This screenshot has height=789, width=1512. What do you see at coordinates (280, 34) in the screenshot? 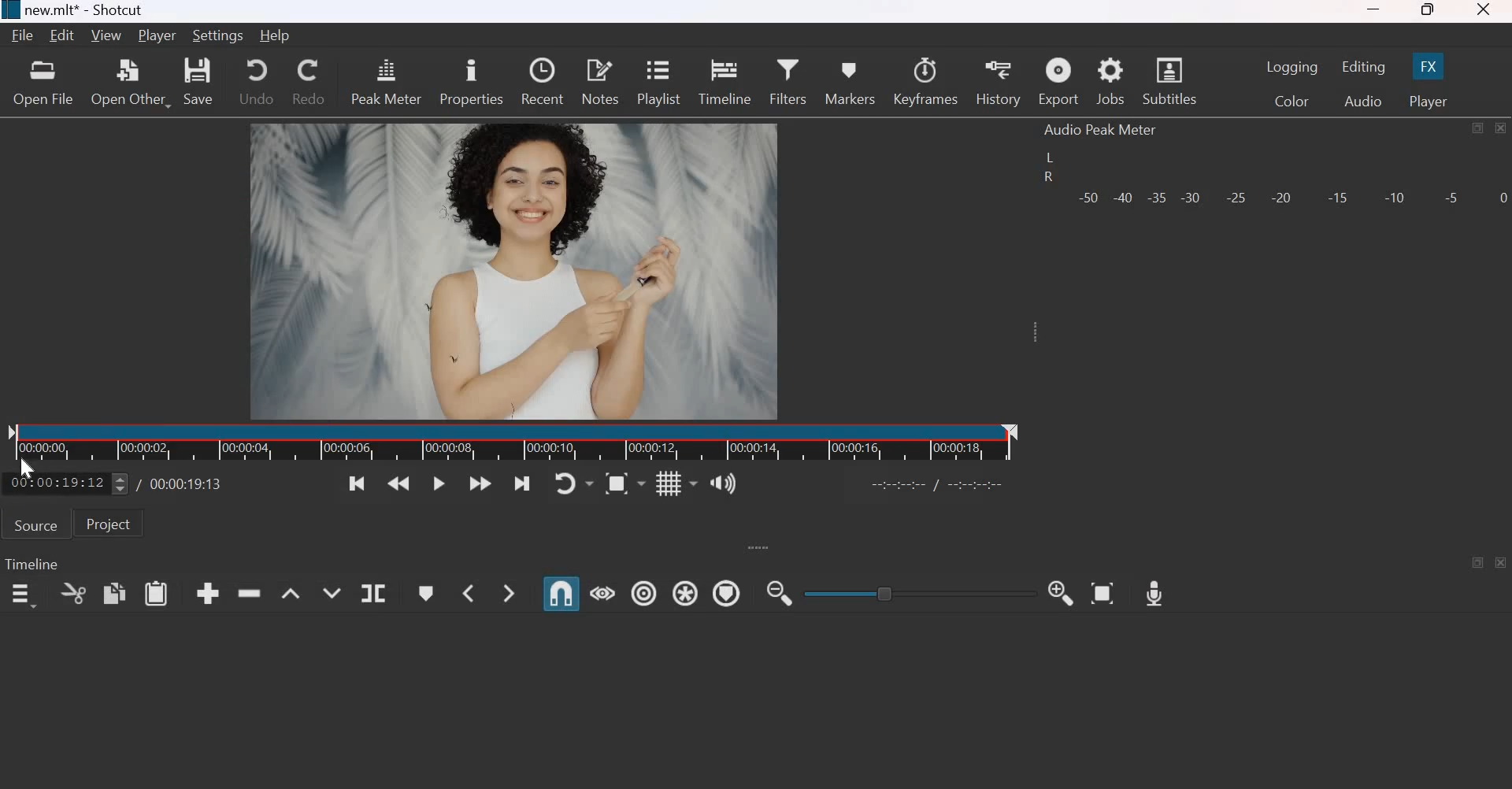
I see `Help` at bounding box center [280, 34].